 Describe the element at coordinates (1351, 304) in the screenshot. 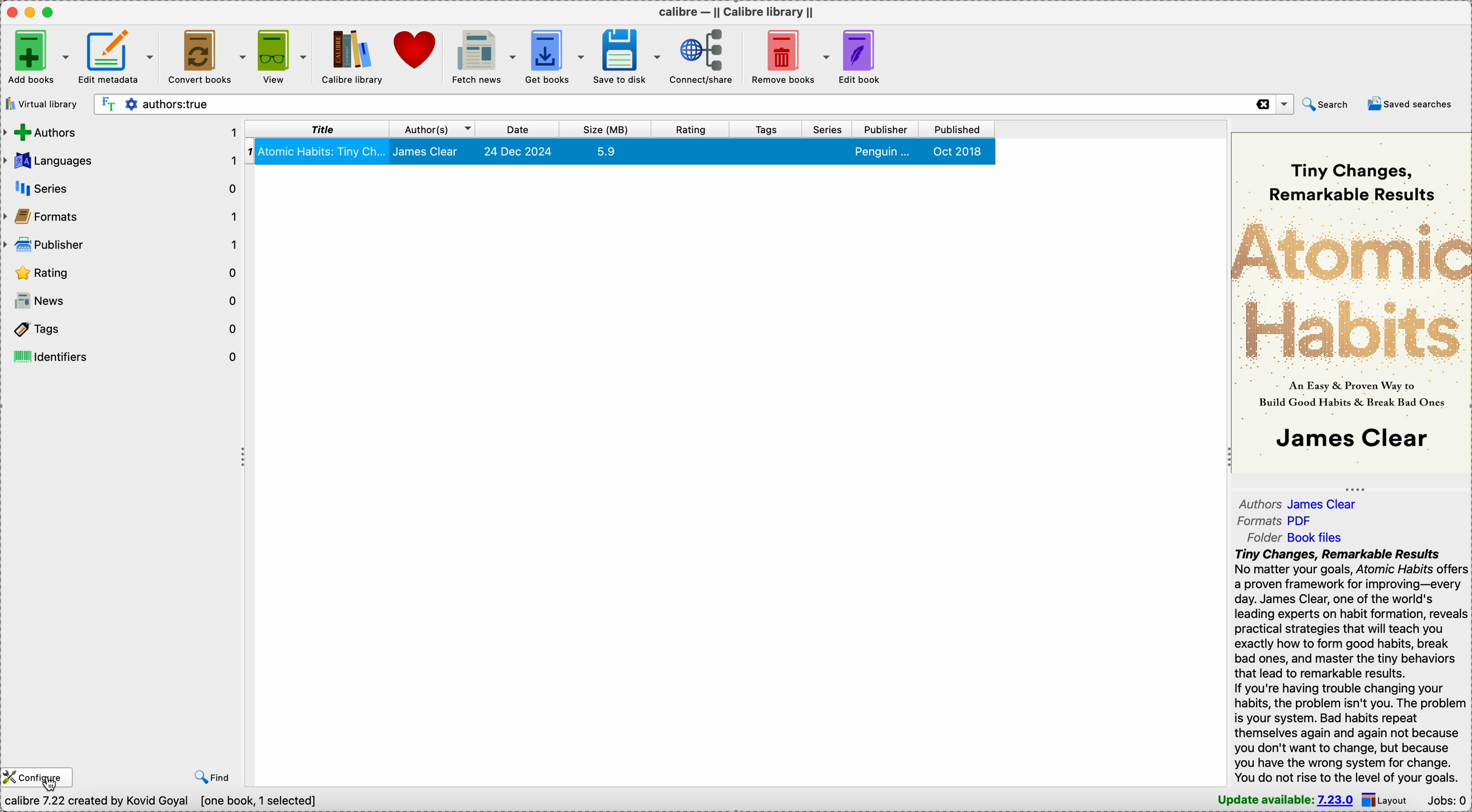

I see `Atomic Habits - book cover preview` at that location.